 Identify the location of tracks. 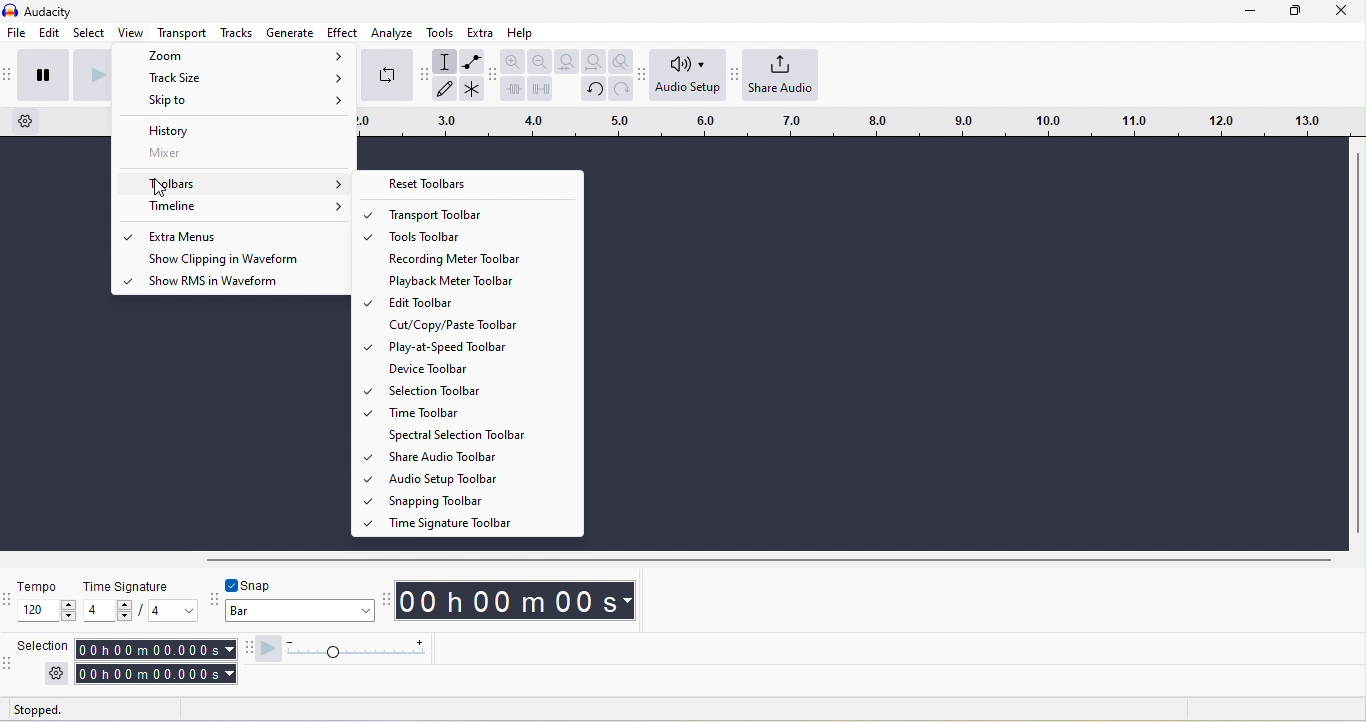
(236, 32).